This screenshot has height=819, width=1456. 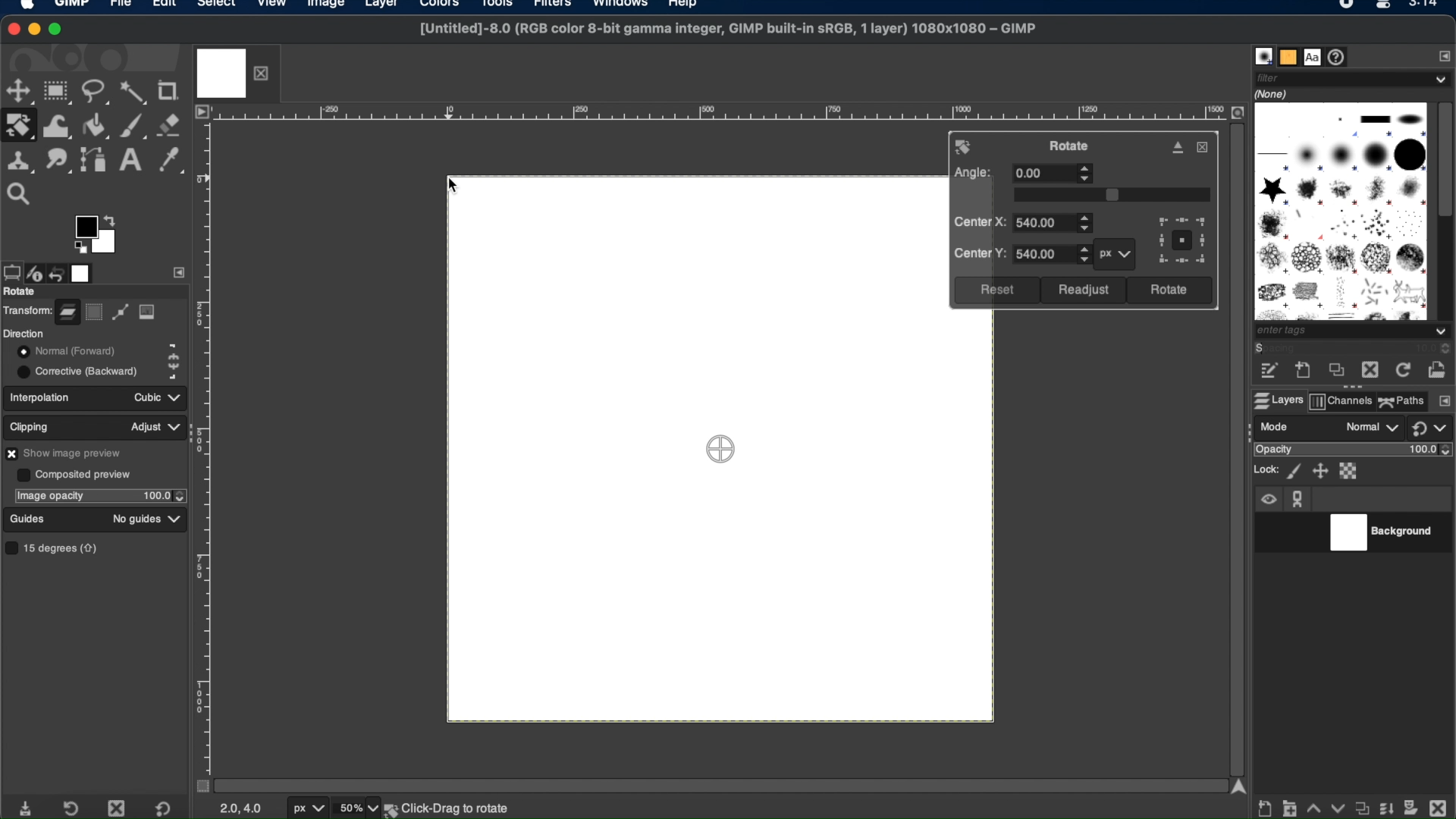 I want to click on brush types, so click(x=1340, y=211).